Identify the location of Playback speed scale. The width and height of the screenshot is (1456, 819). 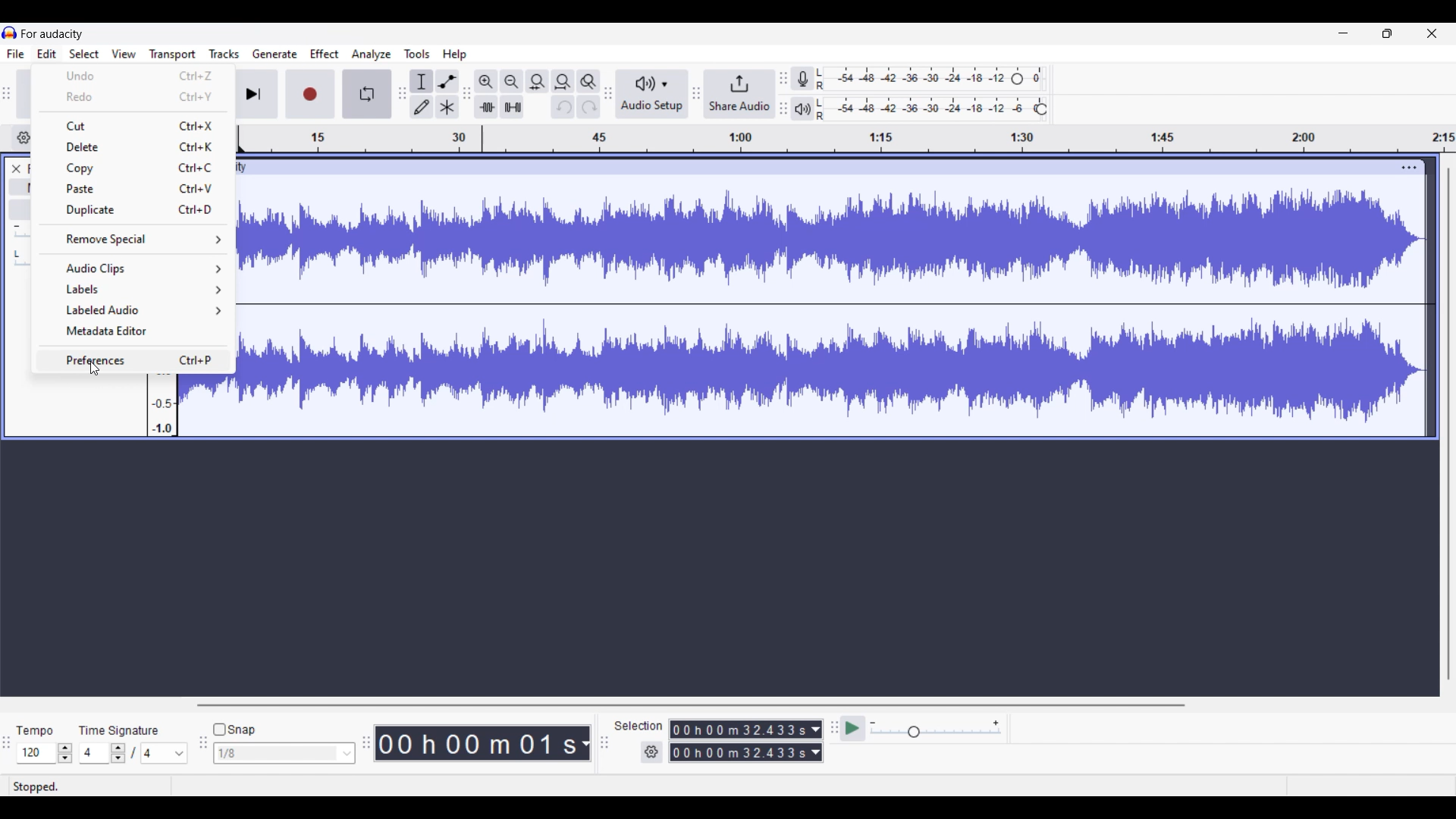
(936, 728).